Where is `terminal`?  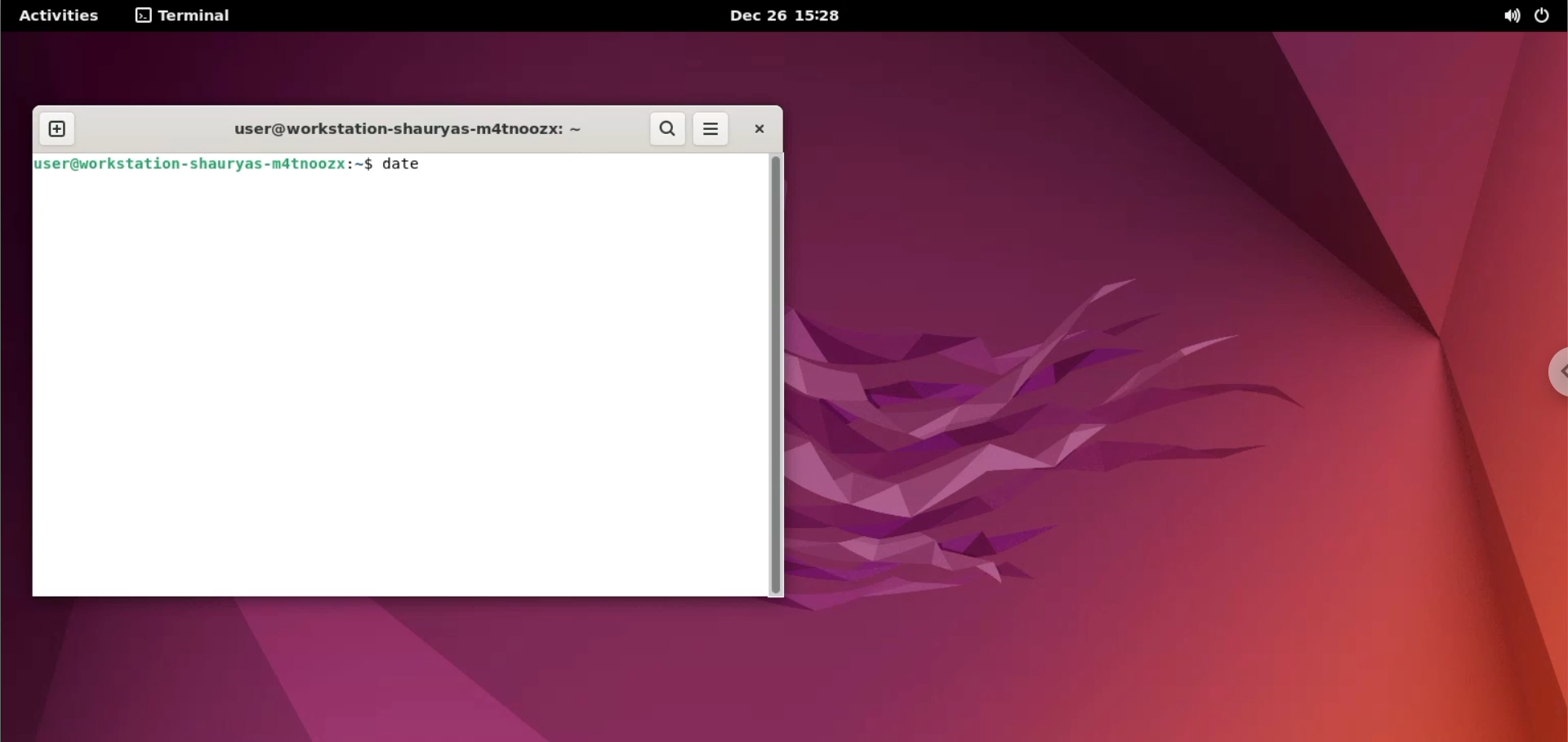 terminal is located at coordinates (188, 17).